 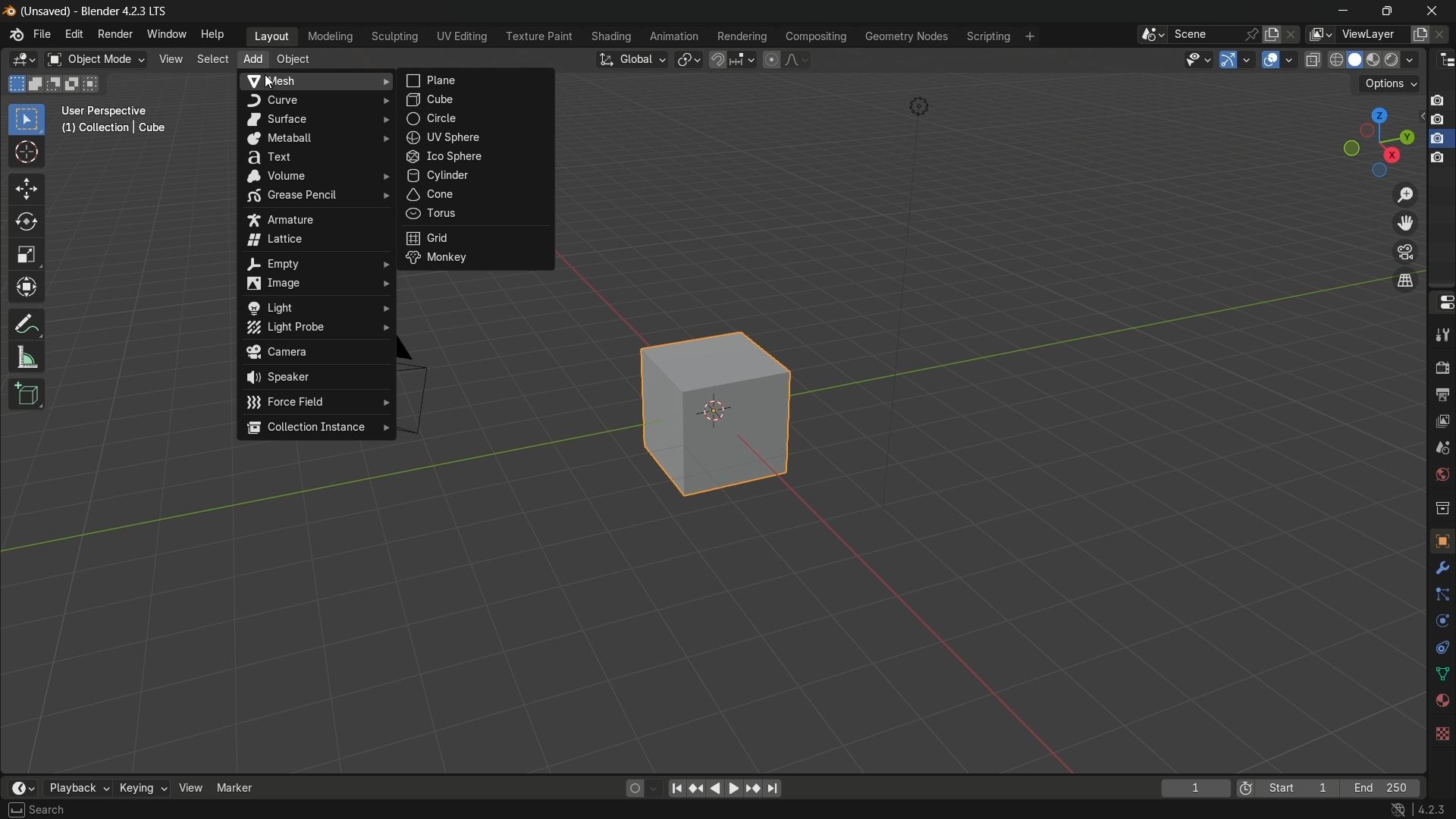 I want to click on End 250, so click(x=1379, y=788).